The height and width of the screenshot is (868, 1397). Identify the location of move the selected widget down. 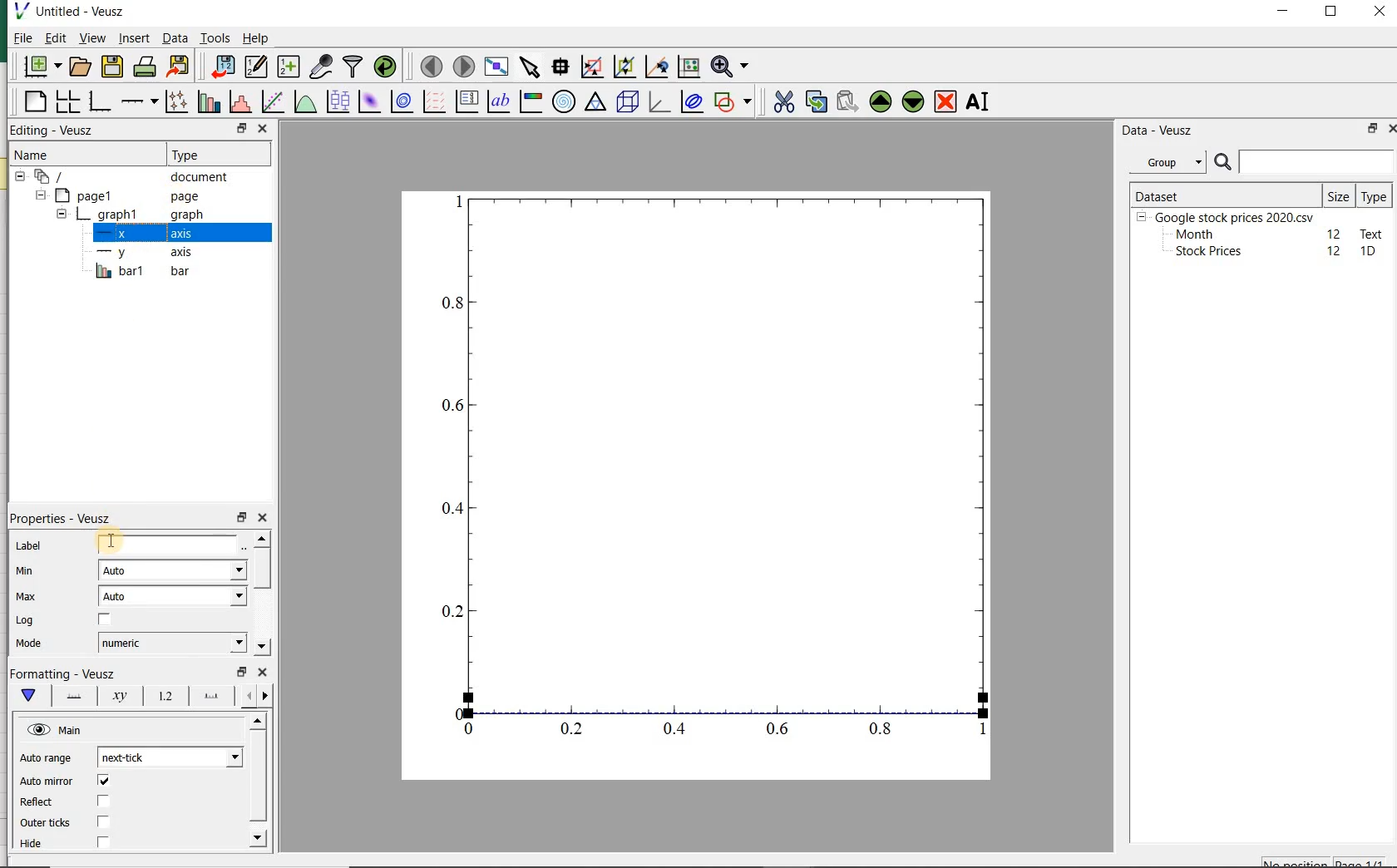
(913, 101).